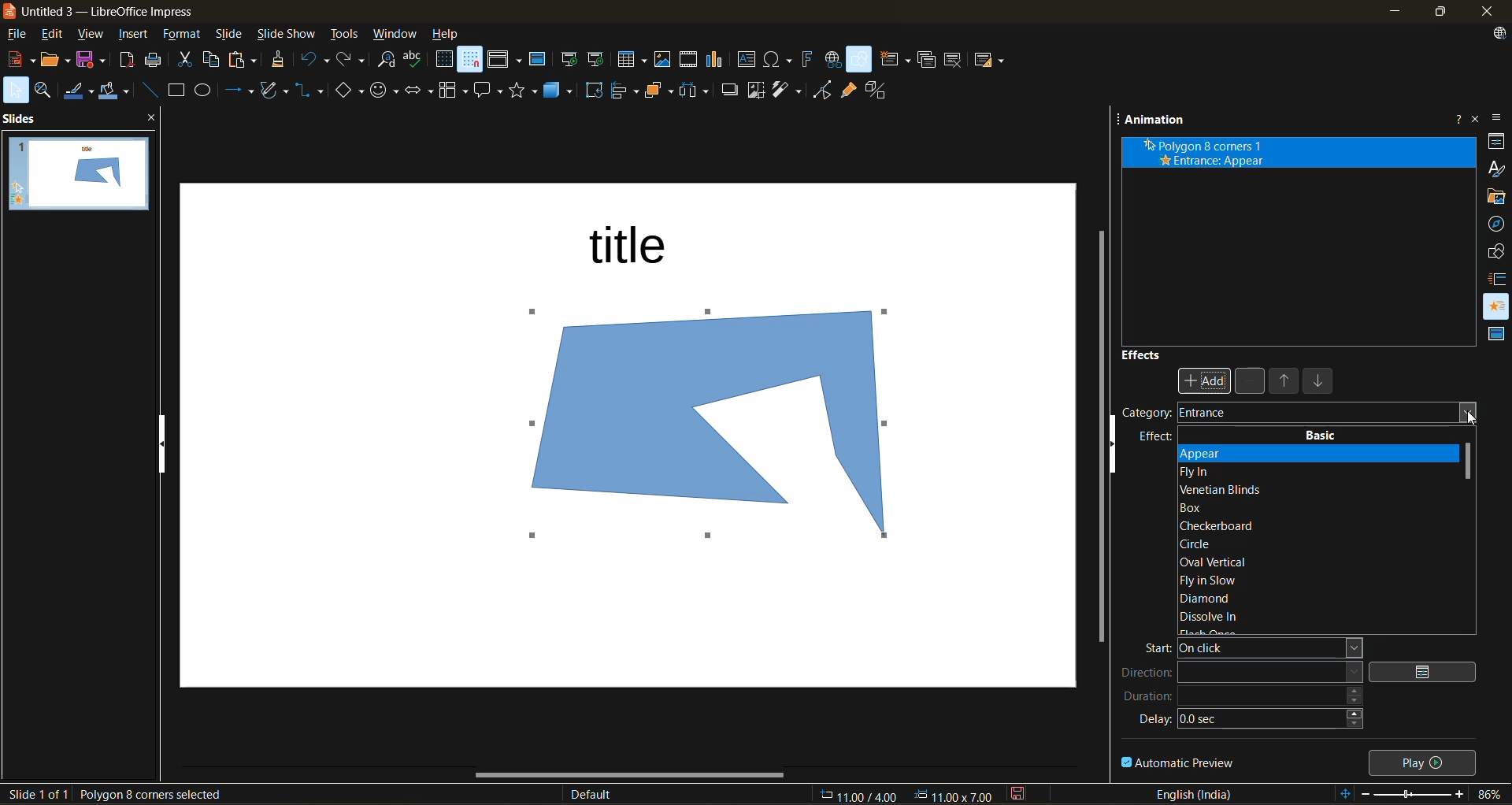 The width and height of the screenshot is (1512, 805). I want to click on slide layout, so click(991, 62).